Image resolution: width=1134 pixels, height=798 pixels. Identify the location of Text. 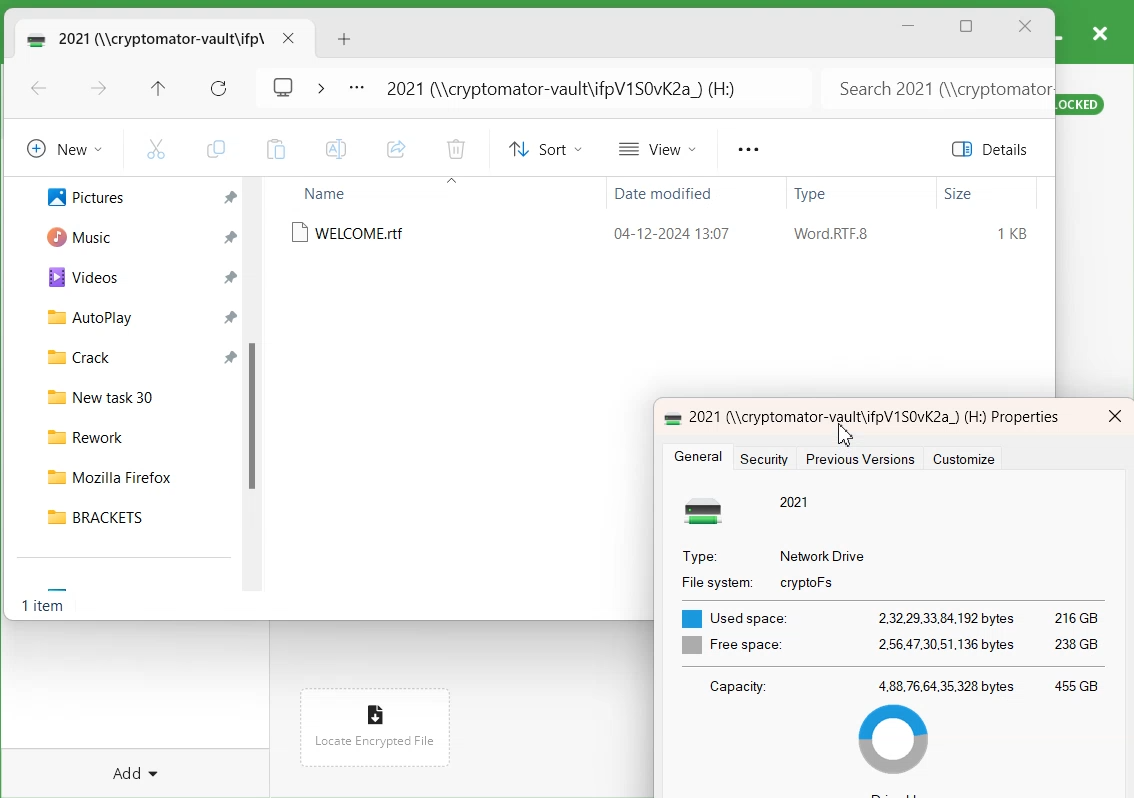
(46, 608).